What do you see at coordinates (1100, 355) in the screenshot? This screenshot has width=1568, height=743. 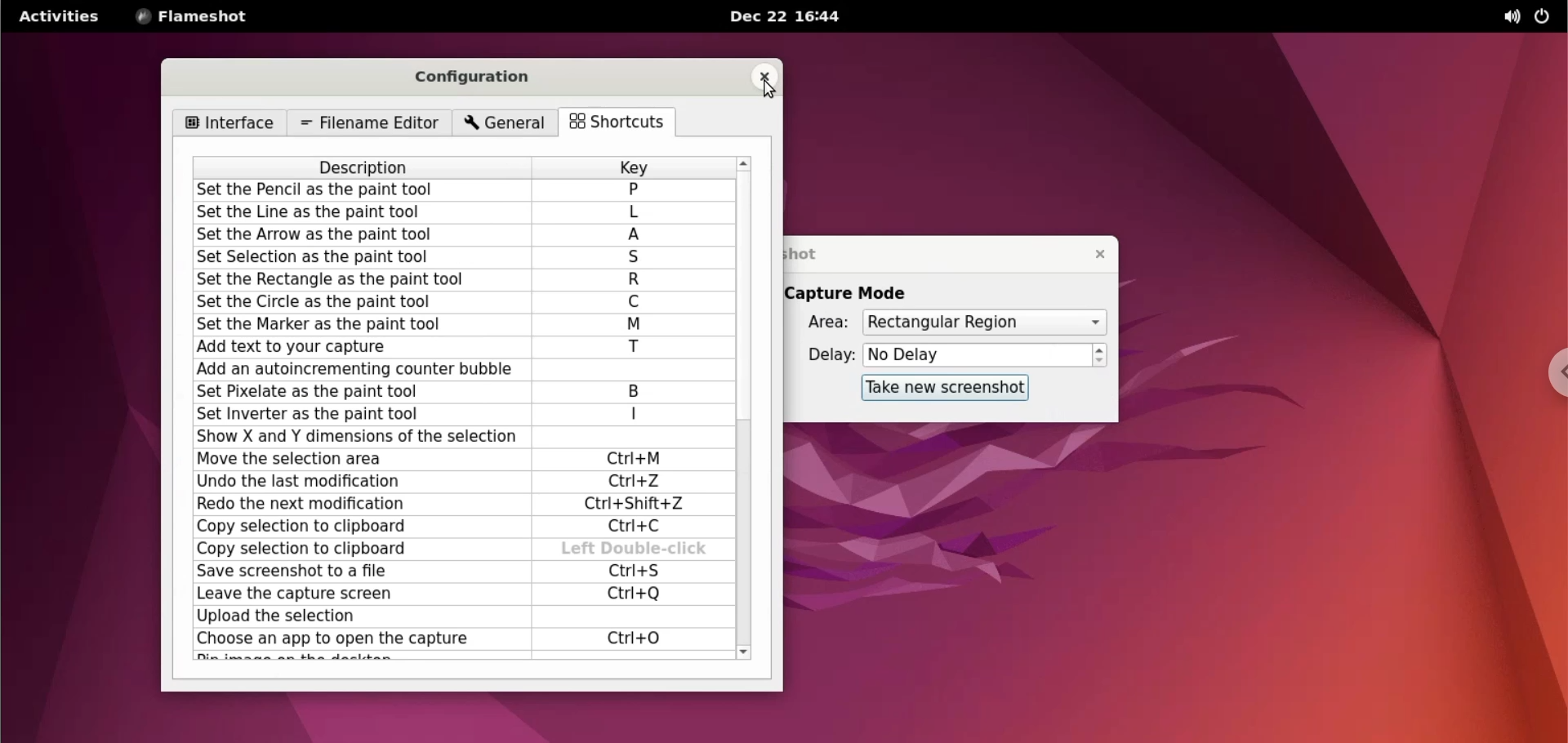 I see `increment or decrement delay ` at bounding box center [1100, 355].